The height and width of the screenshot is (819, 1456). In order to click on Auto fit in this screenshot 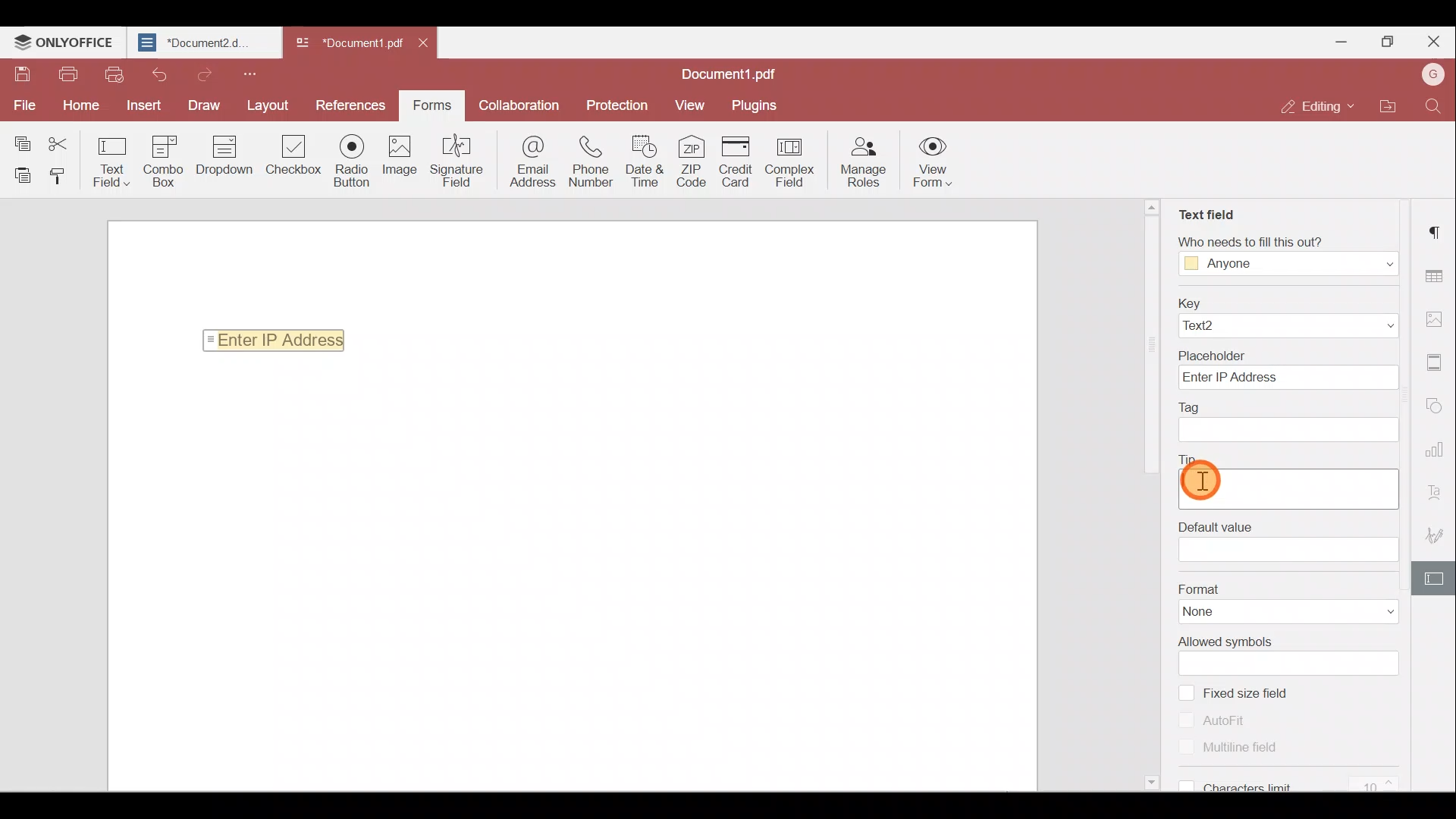, I will do `click(1235, 719)`.